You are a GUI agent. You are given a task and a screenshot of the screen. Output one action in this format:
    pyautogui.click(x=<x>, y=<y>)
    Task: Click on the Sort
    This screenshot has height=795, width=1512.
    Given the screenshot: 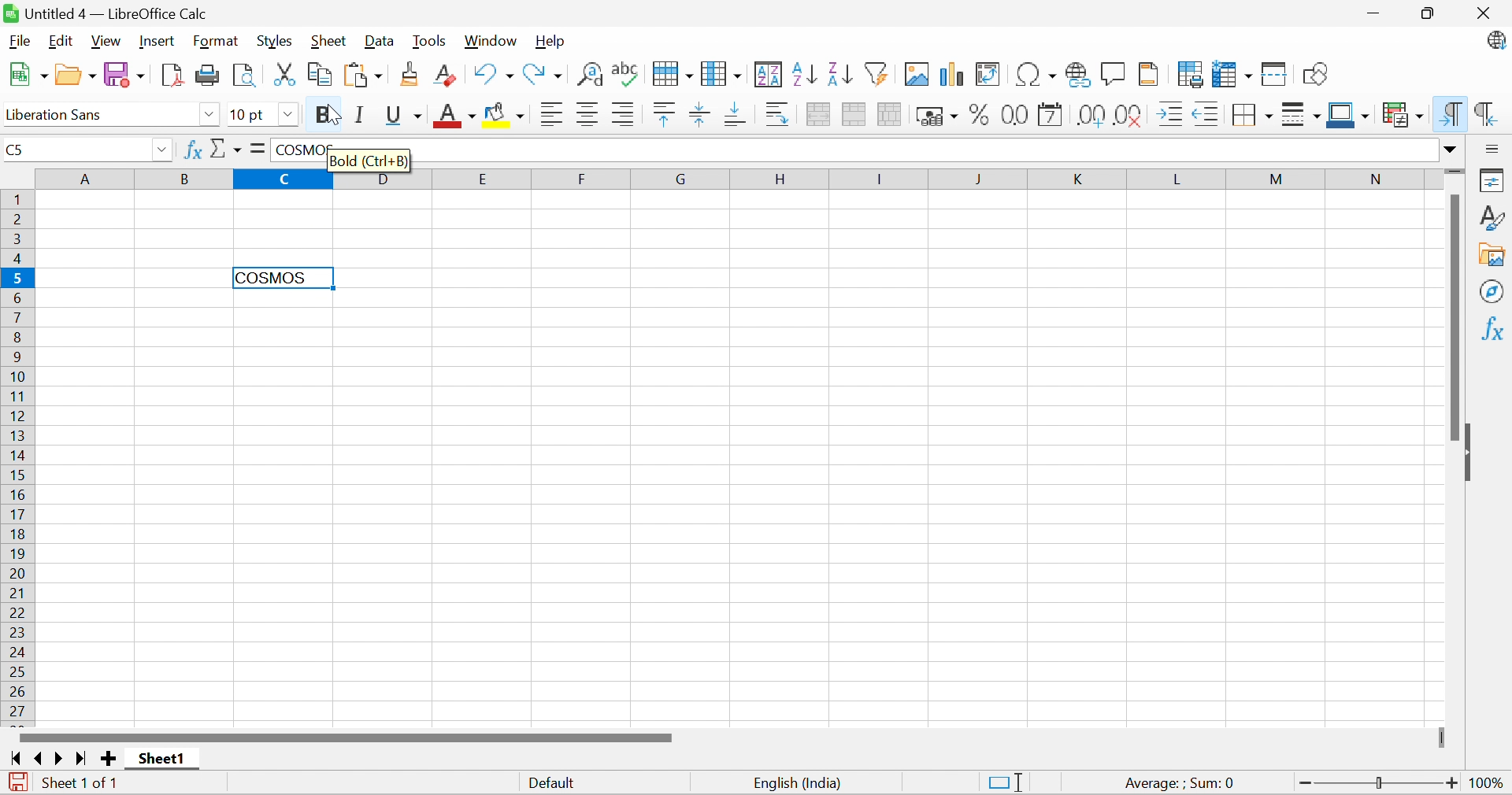 What is the action you would take?
    pyautogui.click(x=767, y=75)
    